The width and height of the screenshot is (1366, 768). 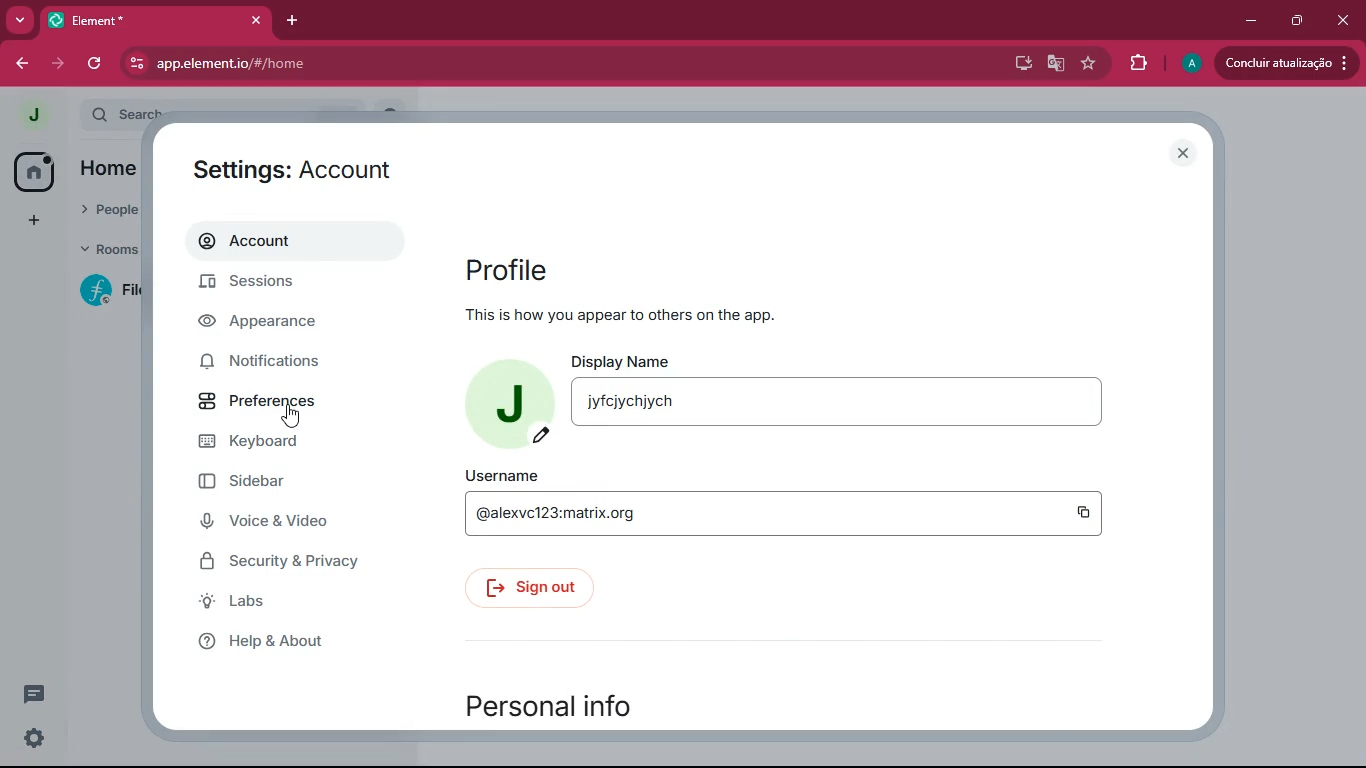 What do you see at coordinates (287, 524) in the screenshot?
I see `voice` at bounding box center [287, 524].